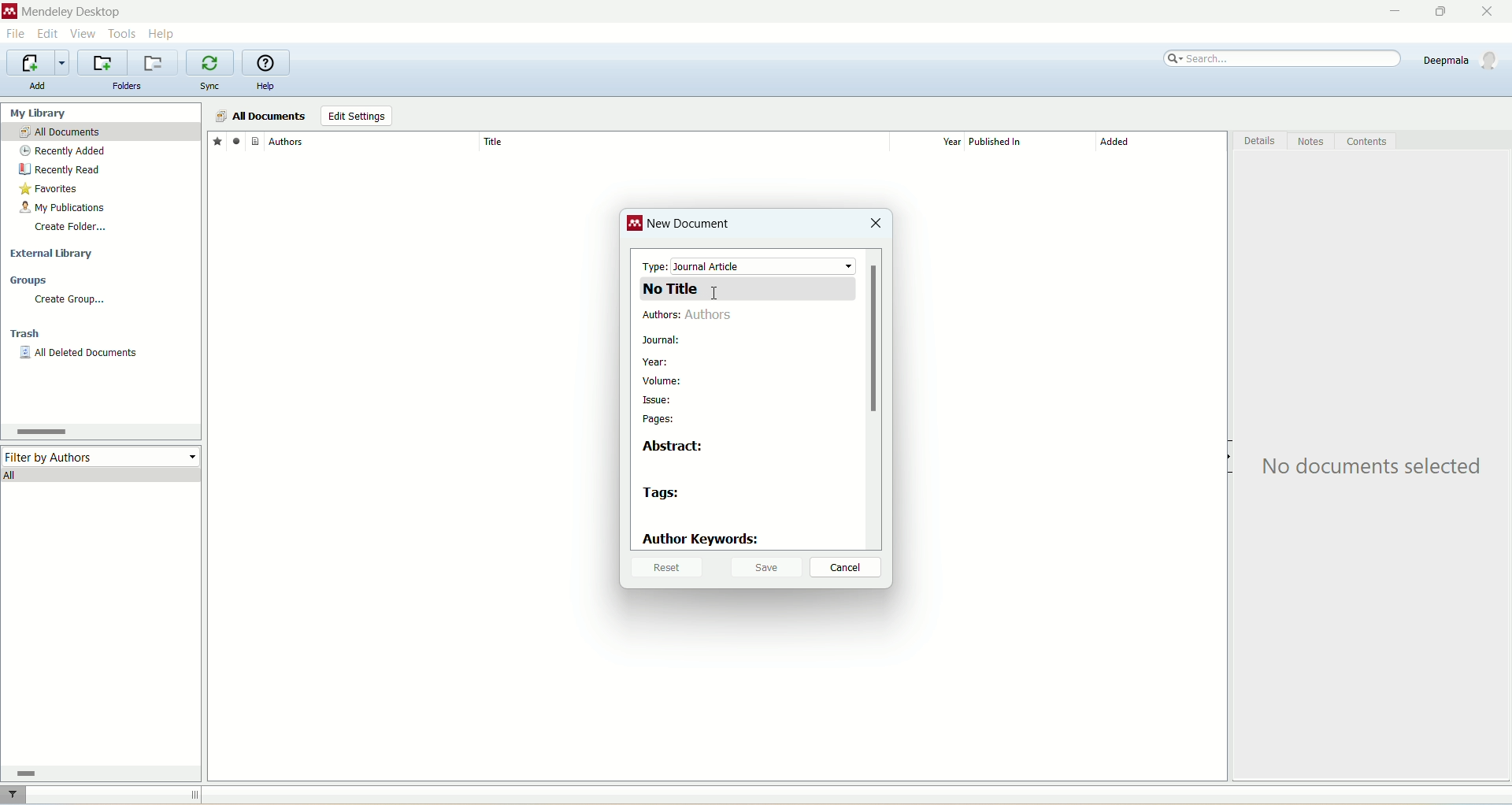  I want to click on sync, so click(212, 87).